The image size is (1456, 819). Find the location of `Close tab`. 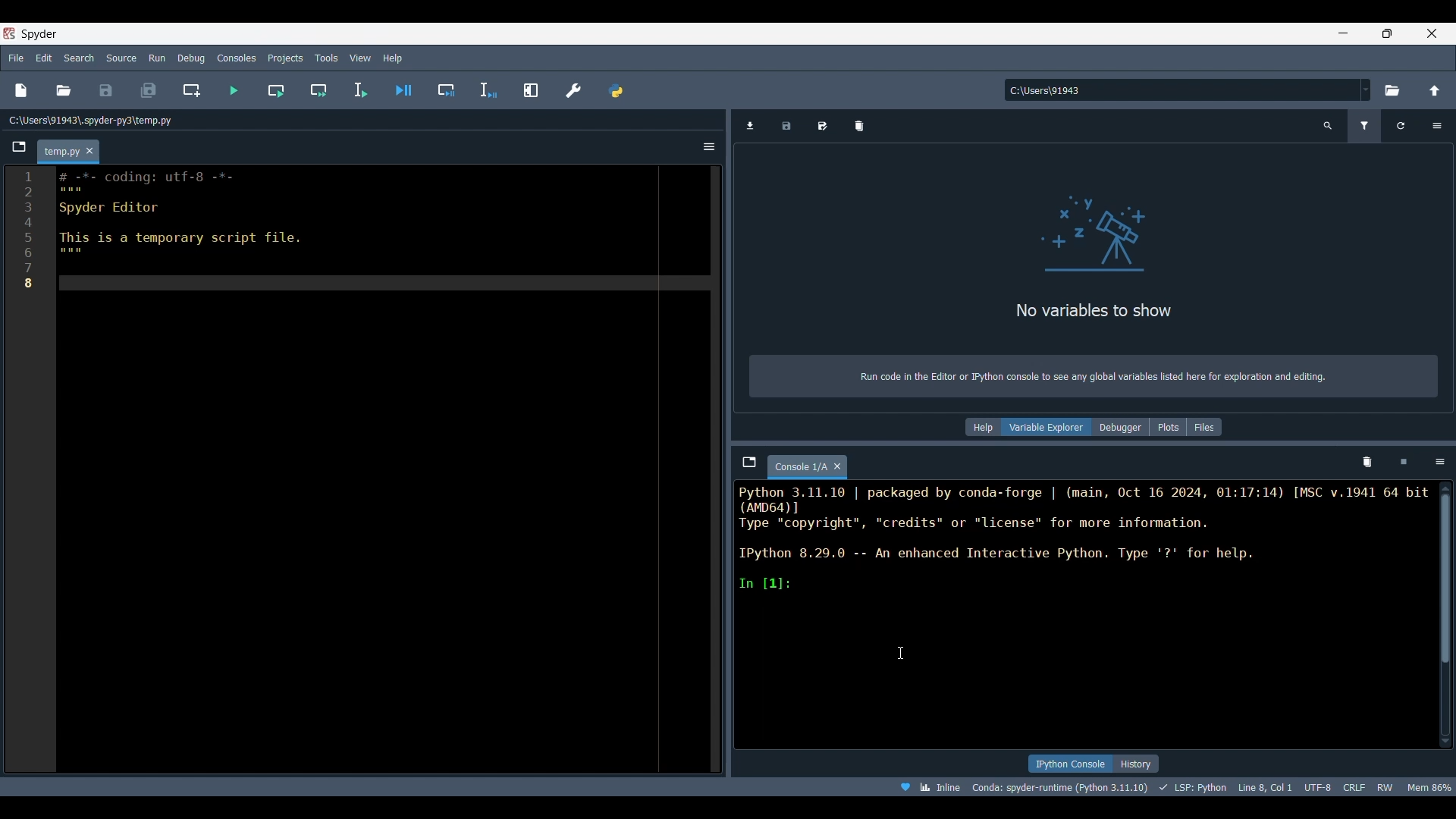

Close tab is located at coordinates (838, 466).